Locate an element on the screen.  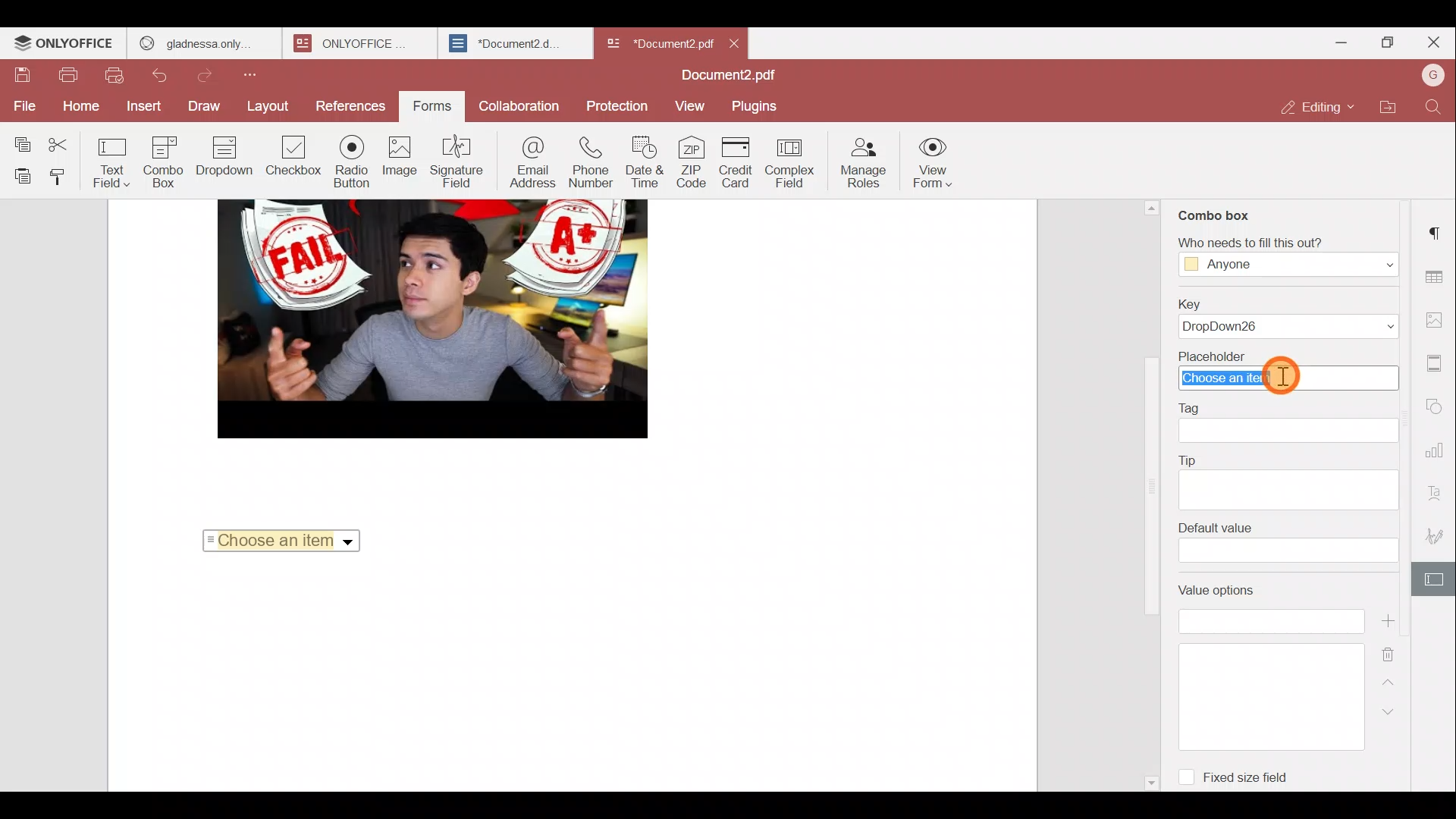
Open file location is located at coordinates (1385, 110).